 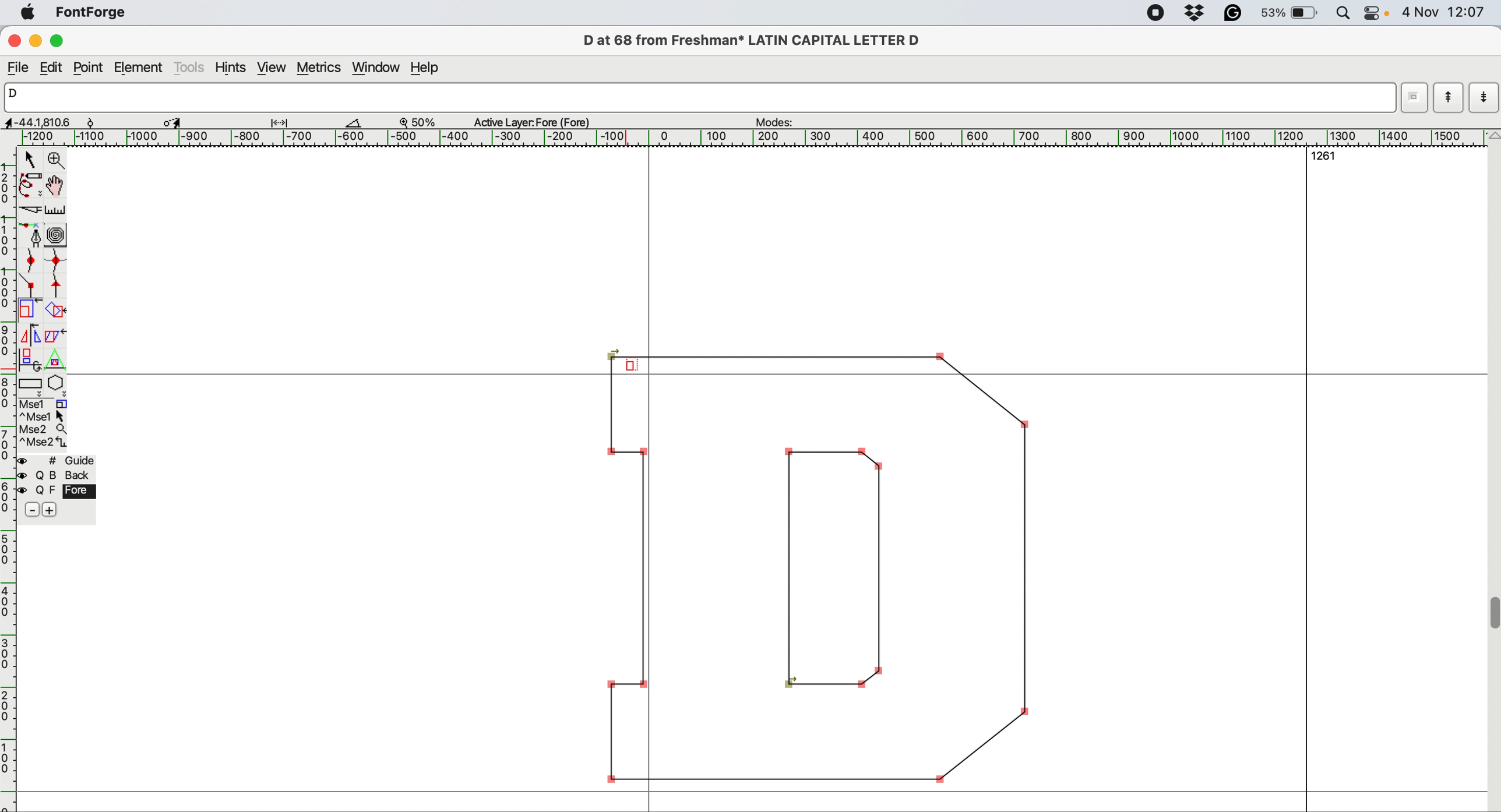 I want to click on Msel 1, so click(x=50, y=403).